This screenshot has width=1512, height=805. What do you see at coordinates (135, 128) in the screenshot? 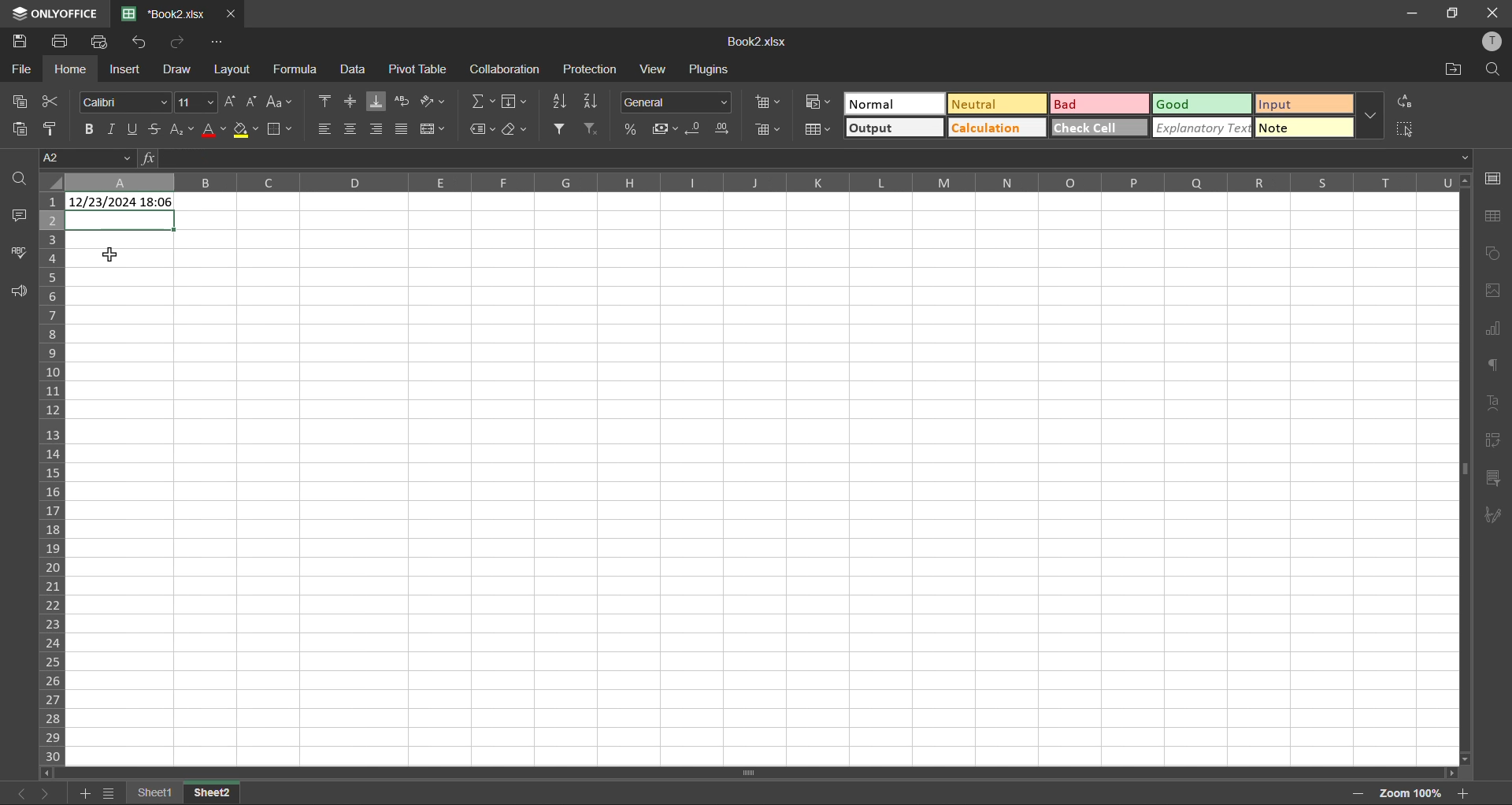
I see `underline` at bounding box center [135, 128].